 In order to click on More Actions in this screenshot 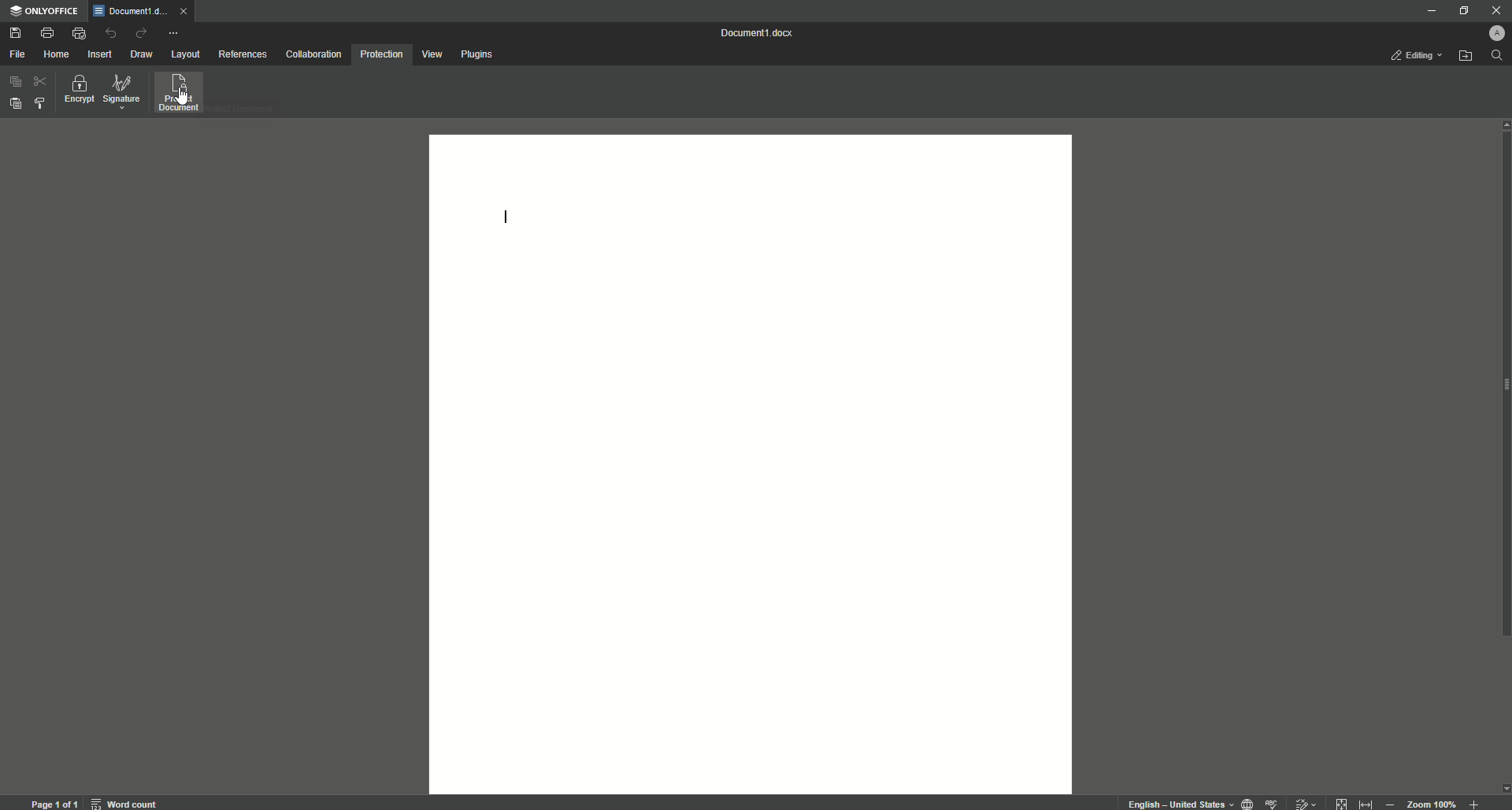, I will do `click(172, 32)`.